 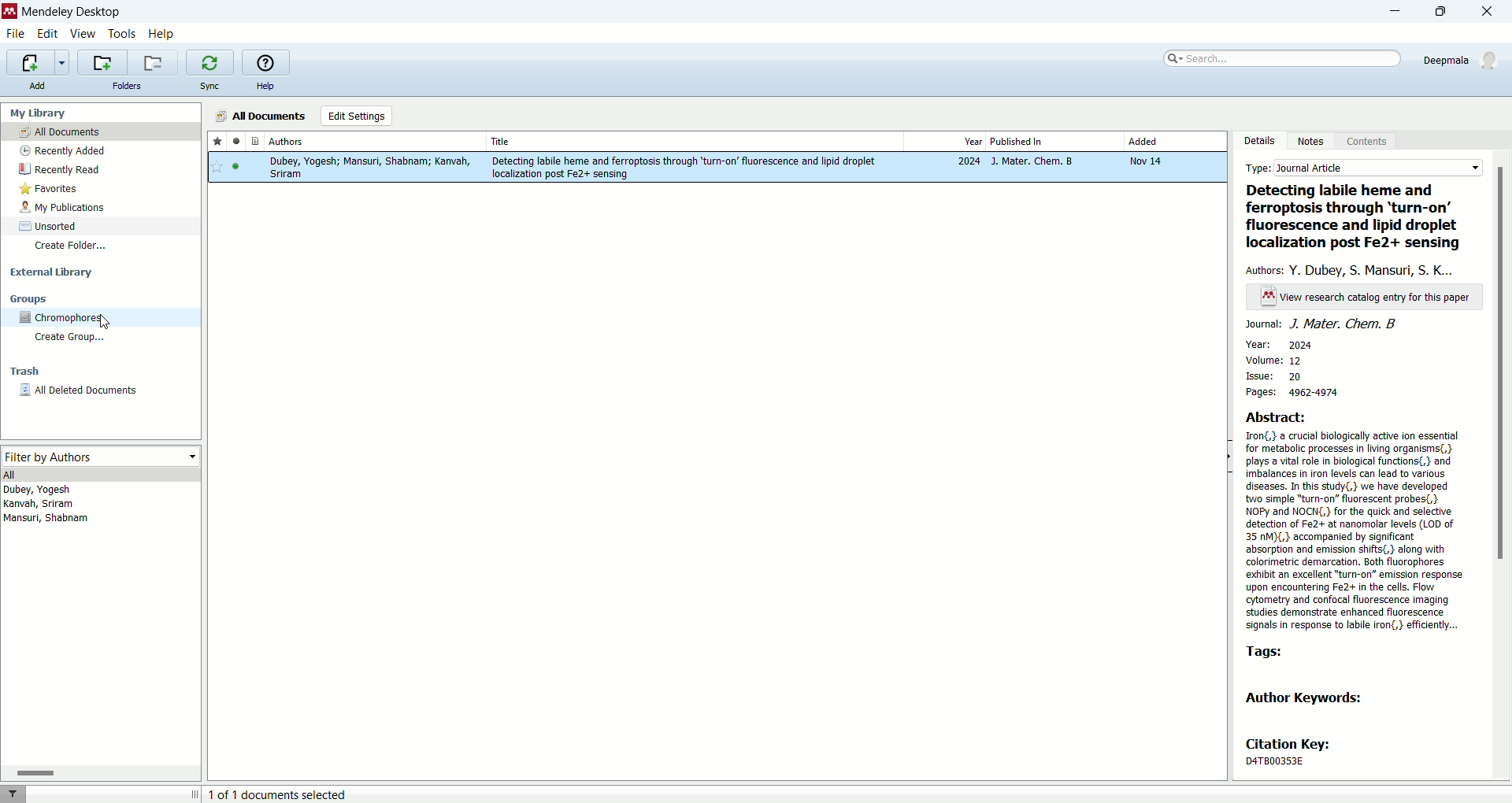 I want to click on kanvah, sriram, so click(x=39, y=505).